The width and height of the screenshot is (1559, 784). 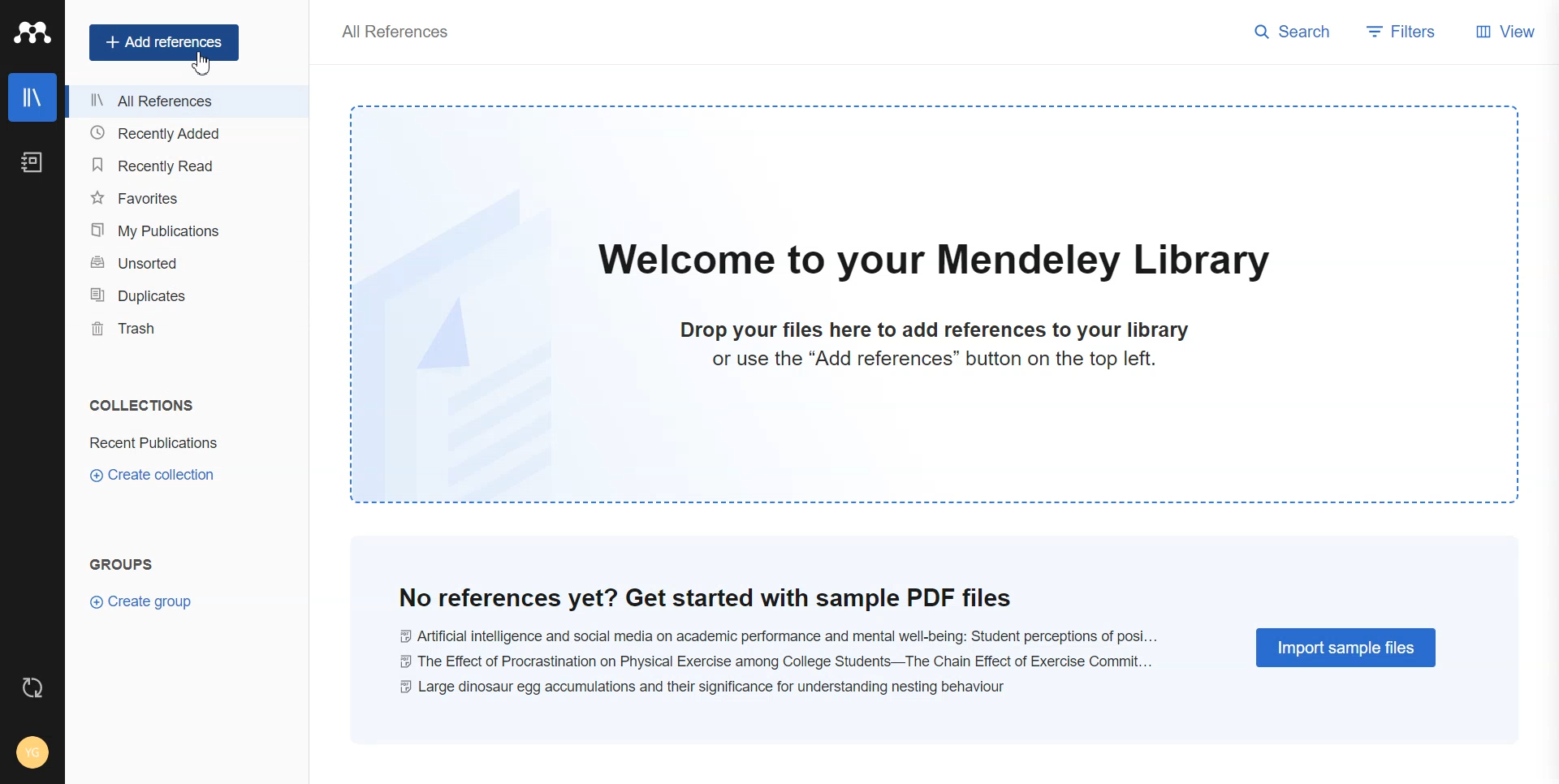 What do you see at coordinates (790, 661) in the screenshot?
I see `@ Artificial intelligence and social media on academic performance and mental well-being: Student perceptions of posi...
© The Effect of Procrastination on Physical Exercise among College Students—The Chain Effect of Exercise Commit...
© Large dinosaur egg accumulations and their significance for understanding nesting behaviour` at bounding box center [790, 661].